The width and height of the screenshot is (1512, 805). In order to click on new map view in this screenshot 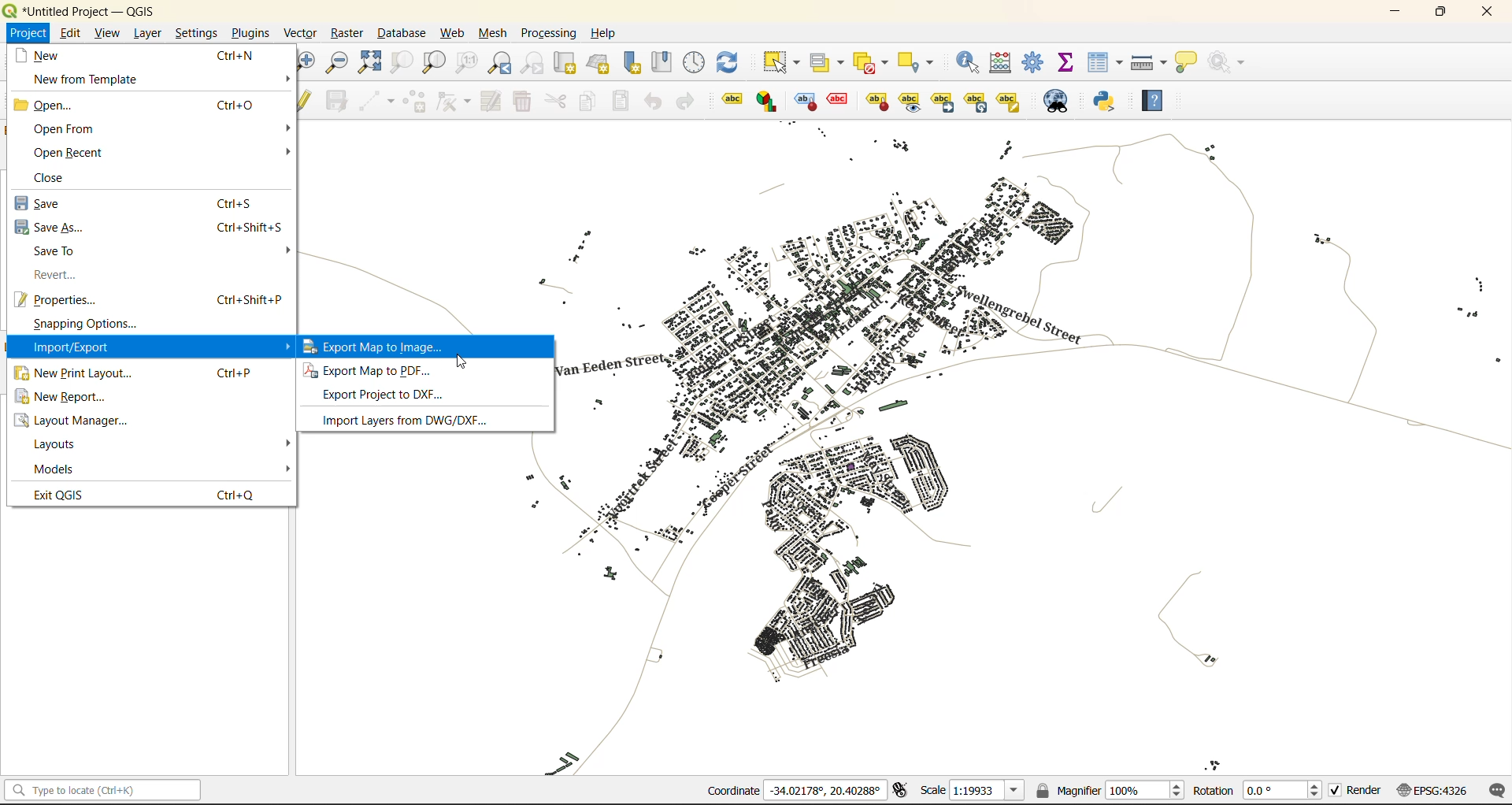, I will do `click(563, 62)`.